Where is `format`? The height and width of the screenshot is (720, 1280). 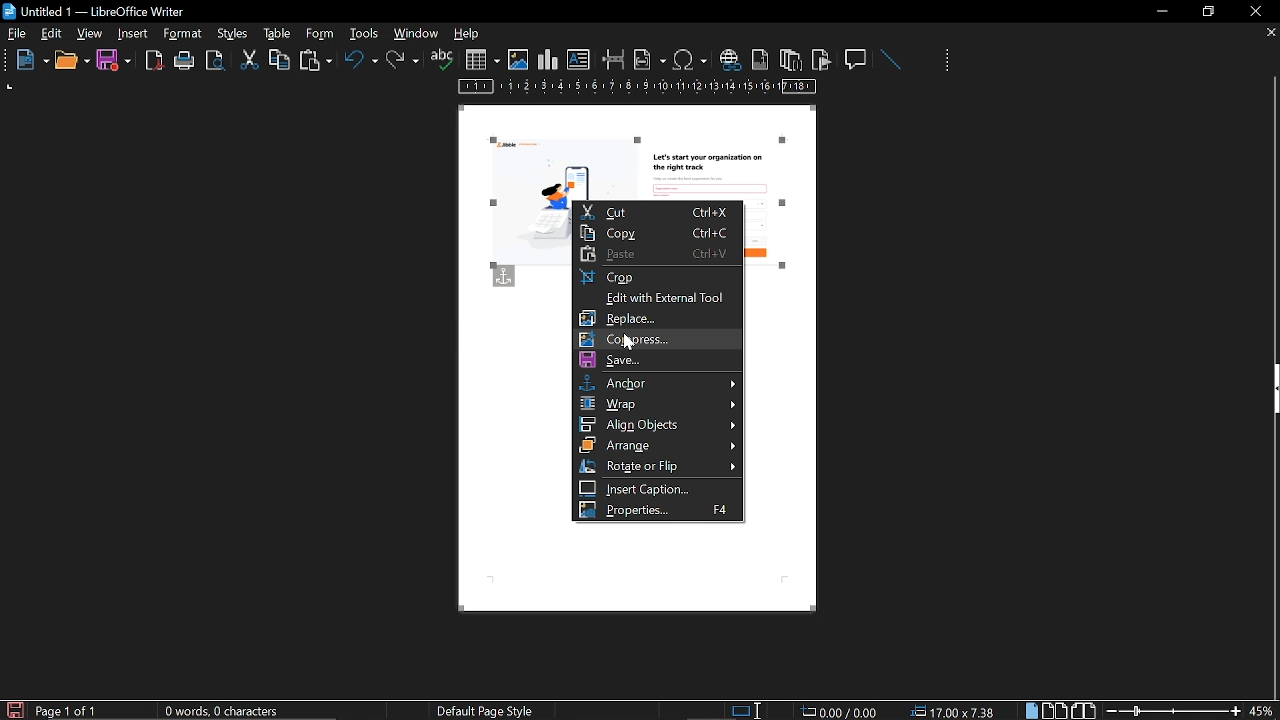 format is located at coordinates (231, 32).